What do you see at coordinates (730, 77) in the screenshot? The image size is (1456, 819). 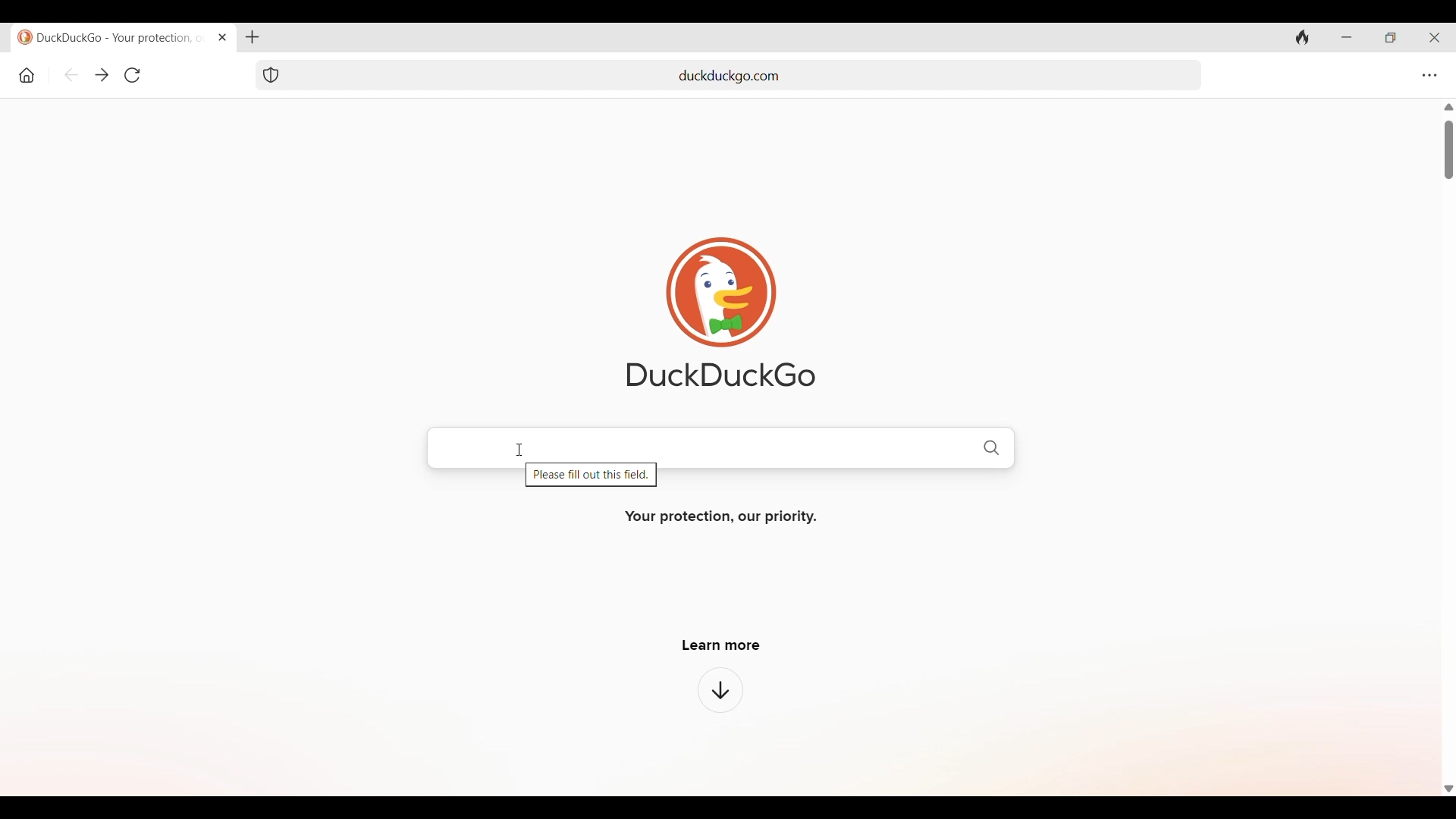 I see `duckduckgo.com` at bounding box center [730, 77].